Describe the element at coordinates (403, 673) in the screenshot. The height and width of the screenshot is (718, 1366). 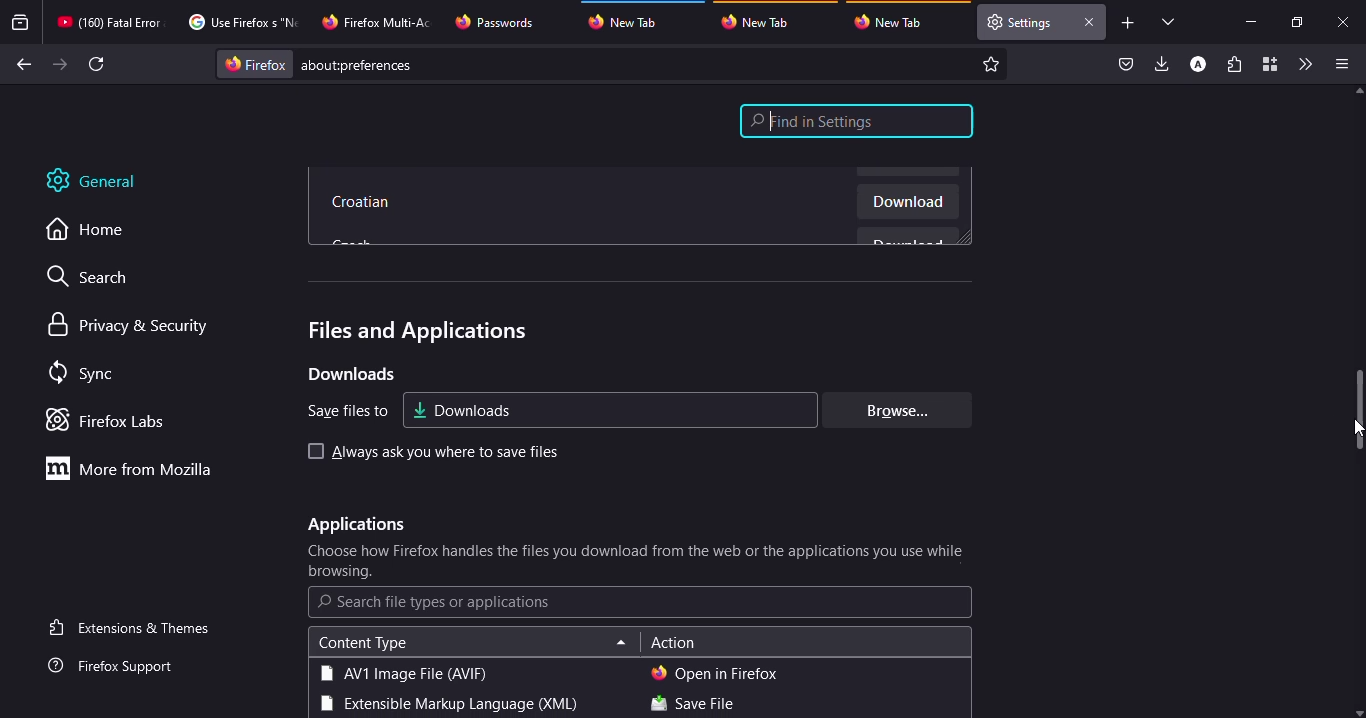
I see `type` at that location.